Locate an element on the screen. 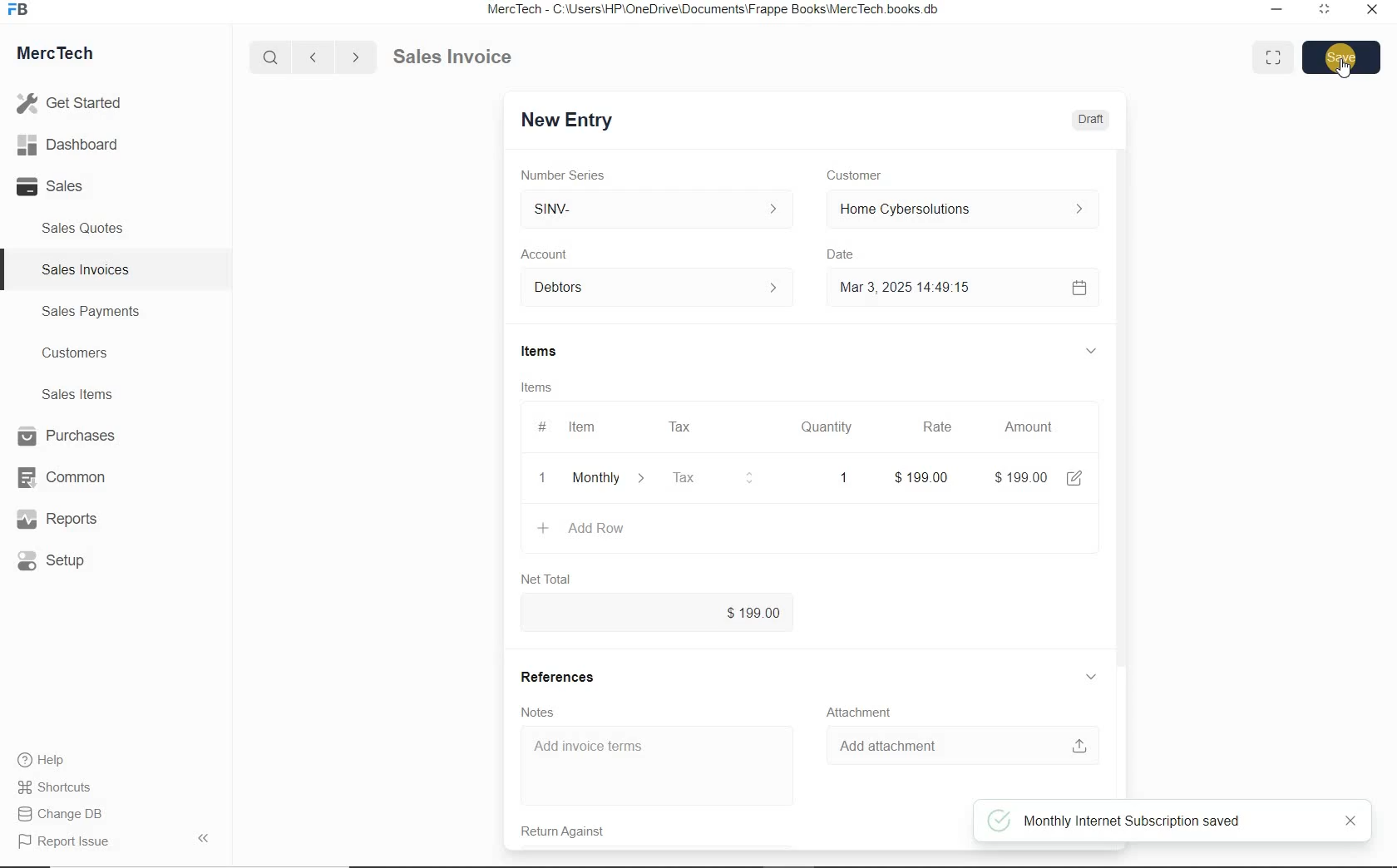  amount: $0.00 is located at coordinates (1022, 476).